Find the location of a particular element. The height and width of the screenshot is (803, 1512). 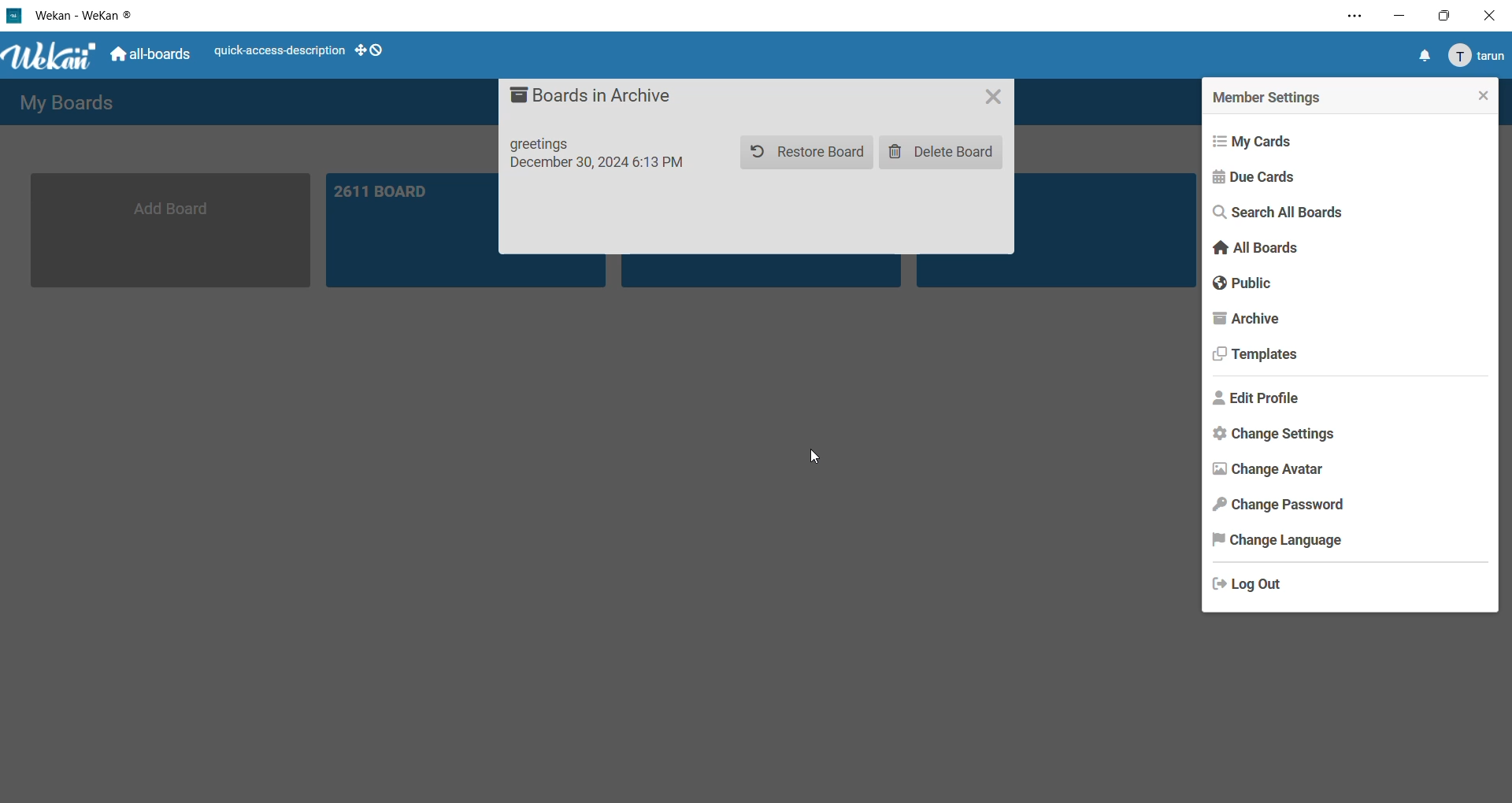

due cards is located at coordinates (1255, 179).